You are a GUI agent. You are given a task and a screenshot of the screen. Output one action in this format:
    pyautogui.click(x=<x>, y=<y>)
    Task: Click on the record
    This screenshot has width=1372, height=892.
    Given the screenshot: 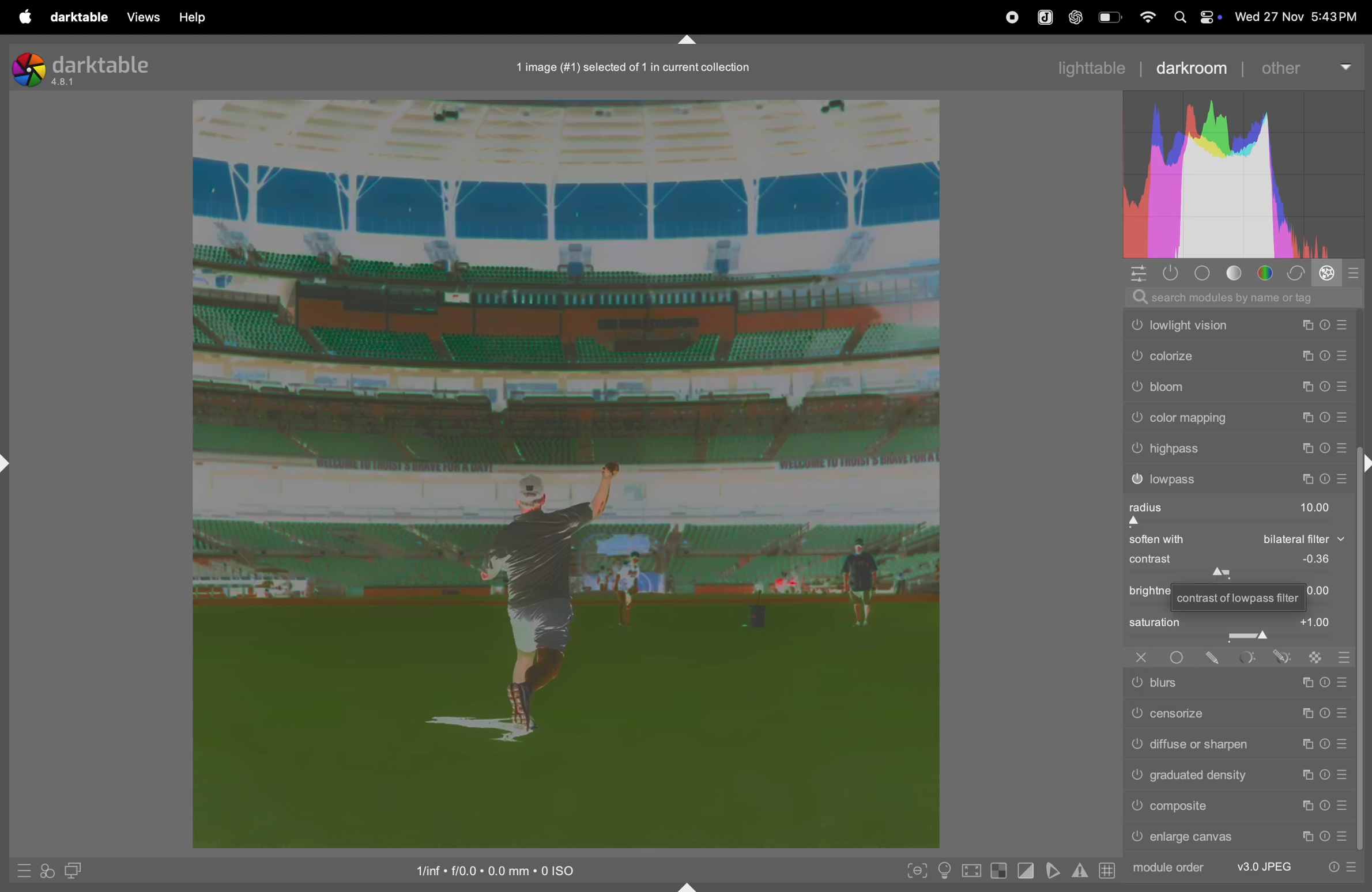 What is the action you would take?
    pyautogui.click(x=1009, y=17)
    